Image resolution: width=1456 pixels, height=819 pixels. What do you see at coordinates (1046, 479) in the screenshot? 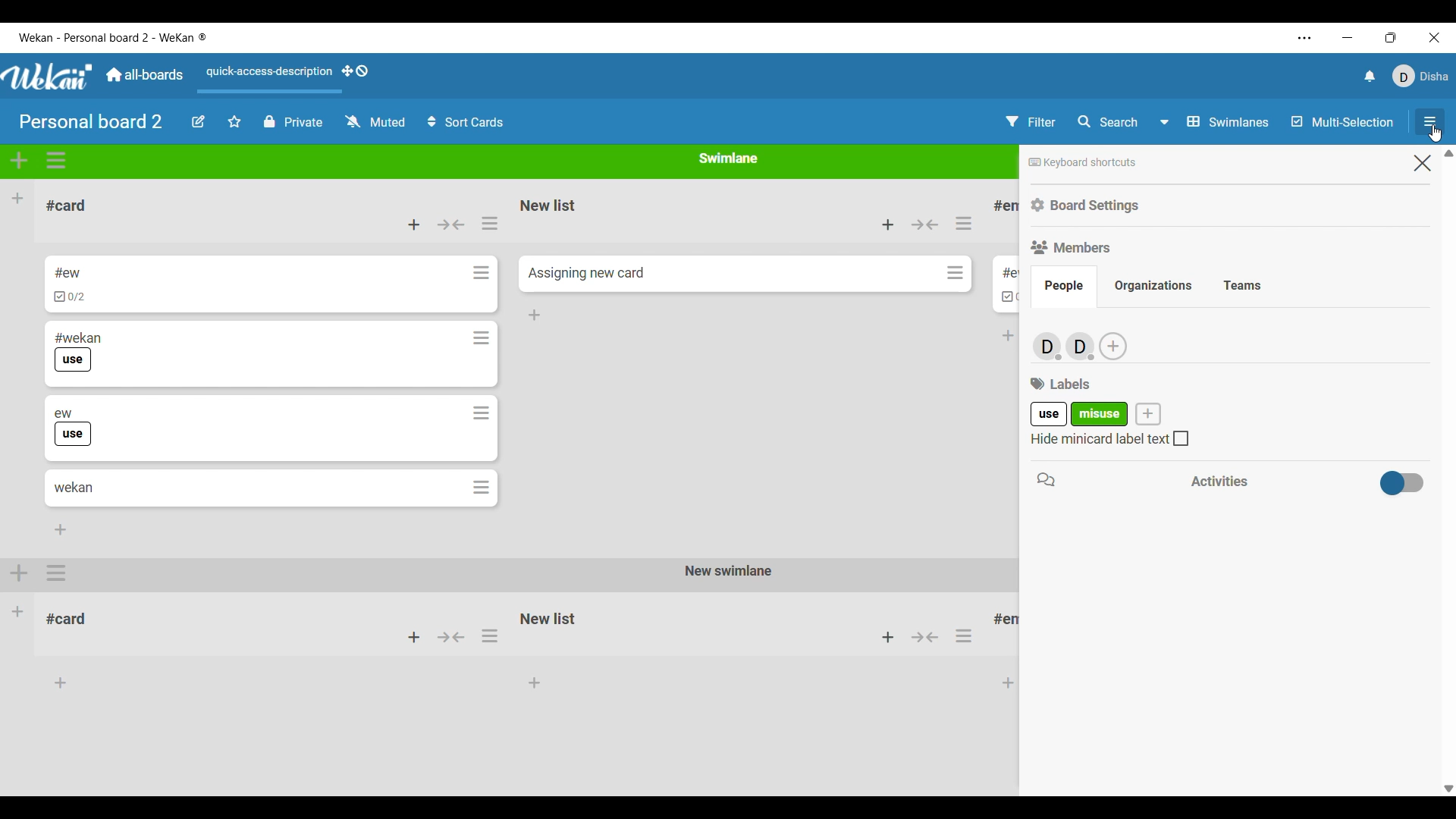
I see `Icon for current section` at bounding box center [1046, 479].